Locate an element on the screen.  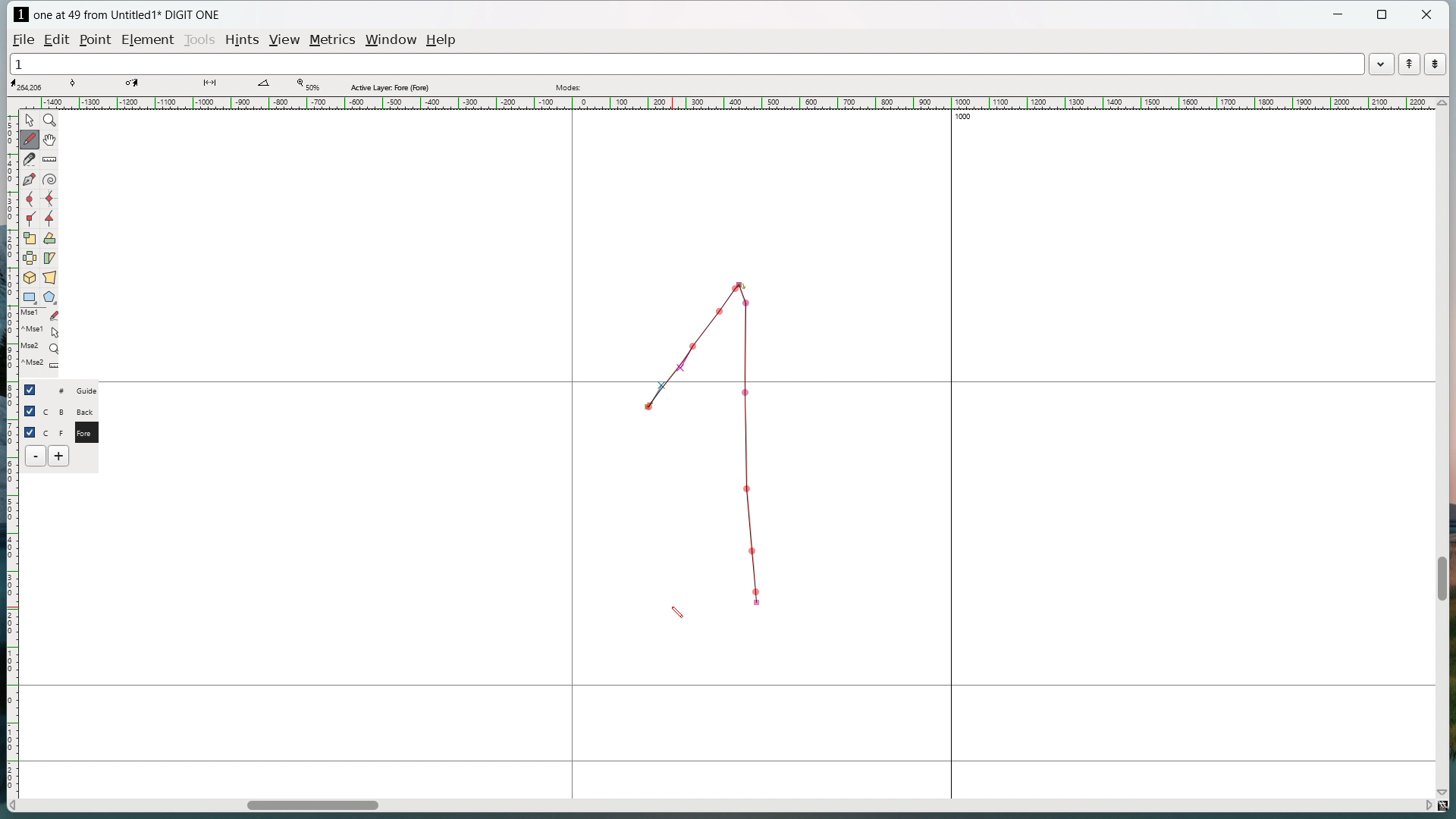
Active layer fore is located at coordinates (391, 86).